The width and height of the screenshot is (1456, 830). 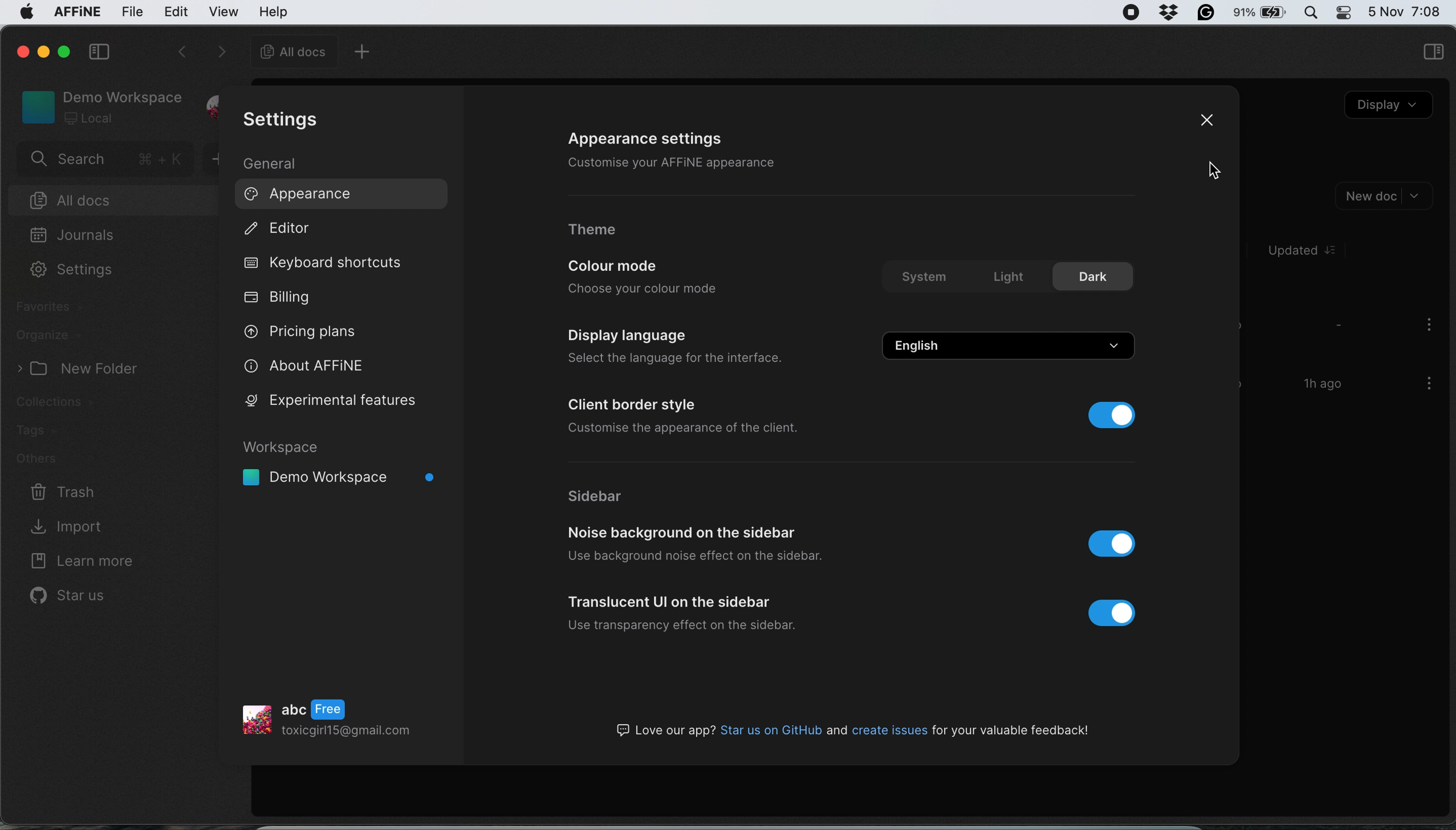 I want to click on favorites, so click(x=48, y=309).